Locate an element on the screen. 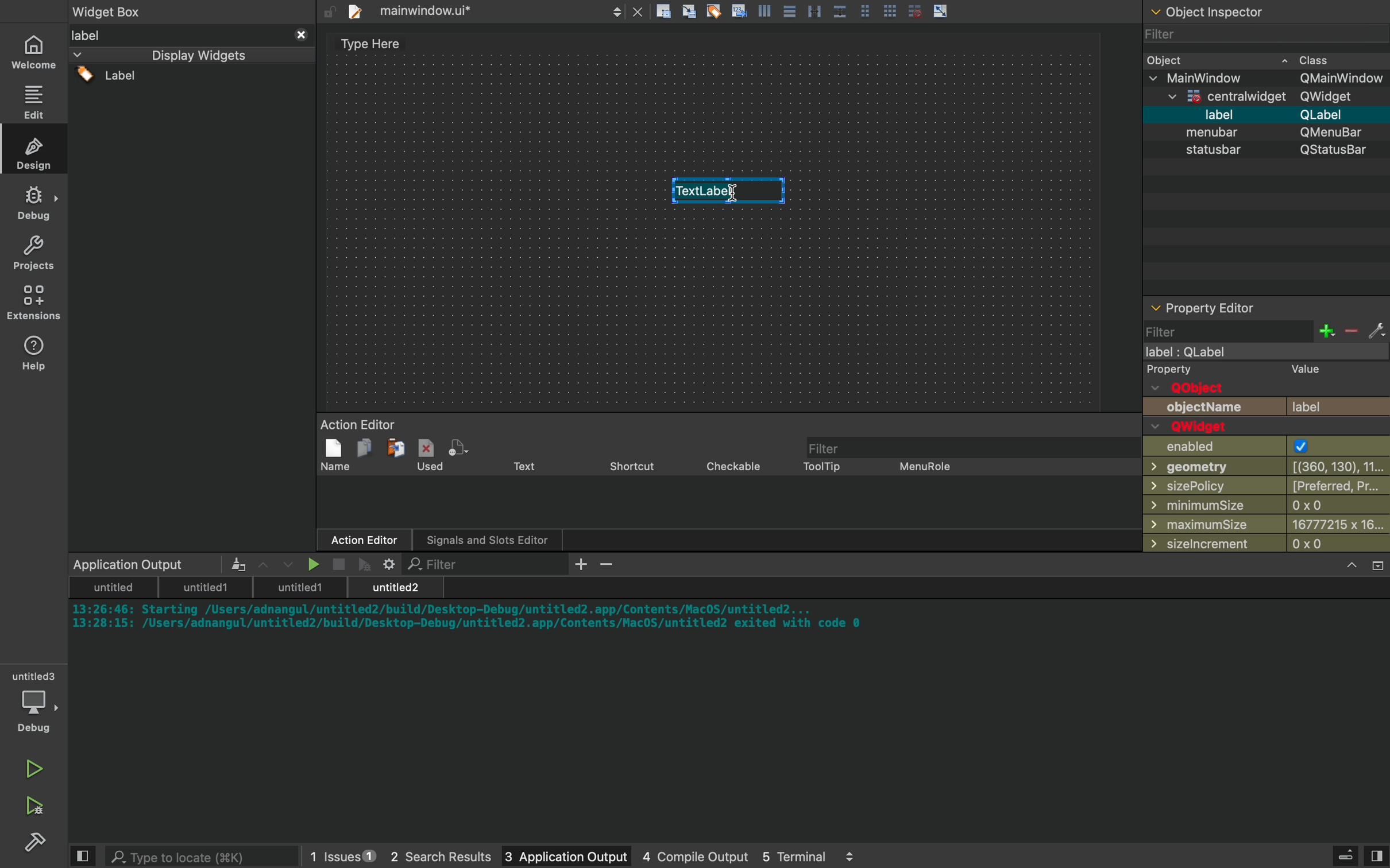   is located at coordinates (798, 12).